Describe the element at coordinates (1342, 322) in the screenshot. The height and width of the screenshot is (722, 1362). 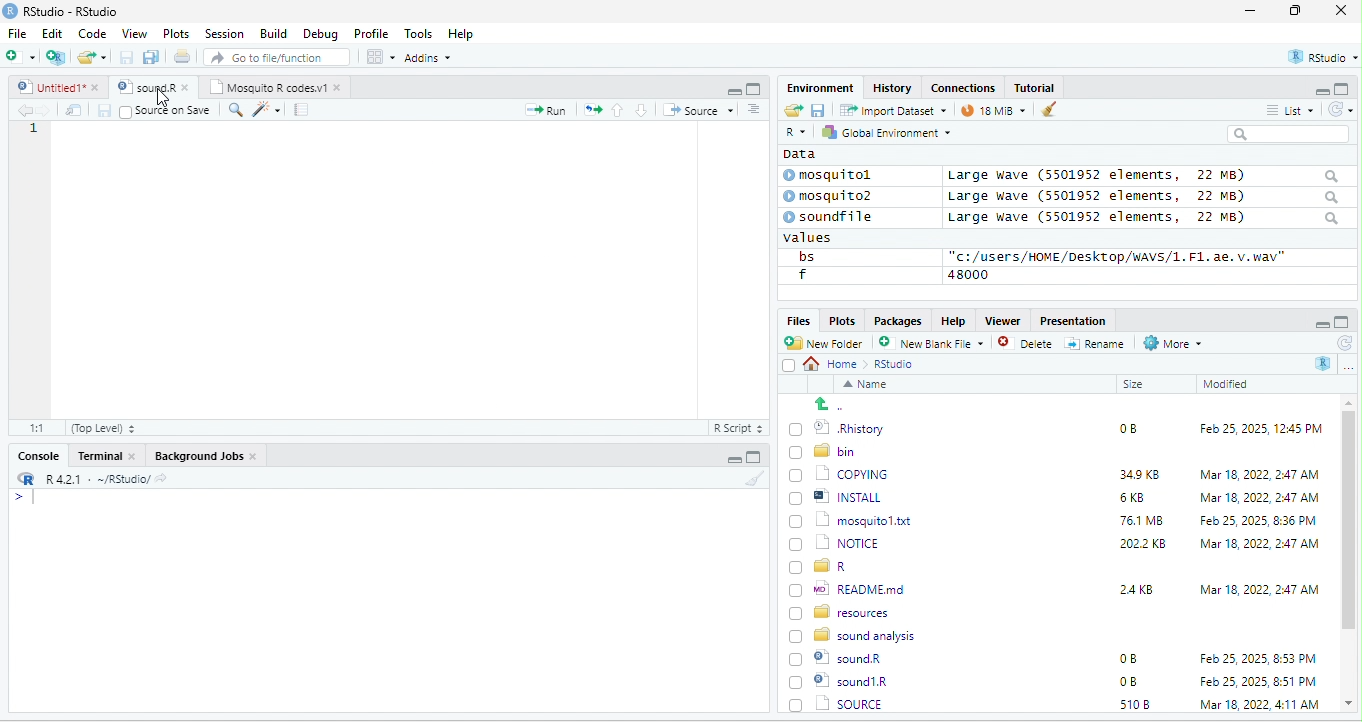
I see `maximize` at that location.